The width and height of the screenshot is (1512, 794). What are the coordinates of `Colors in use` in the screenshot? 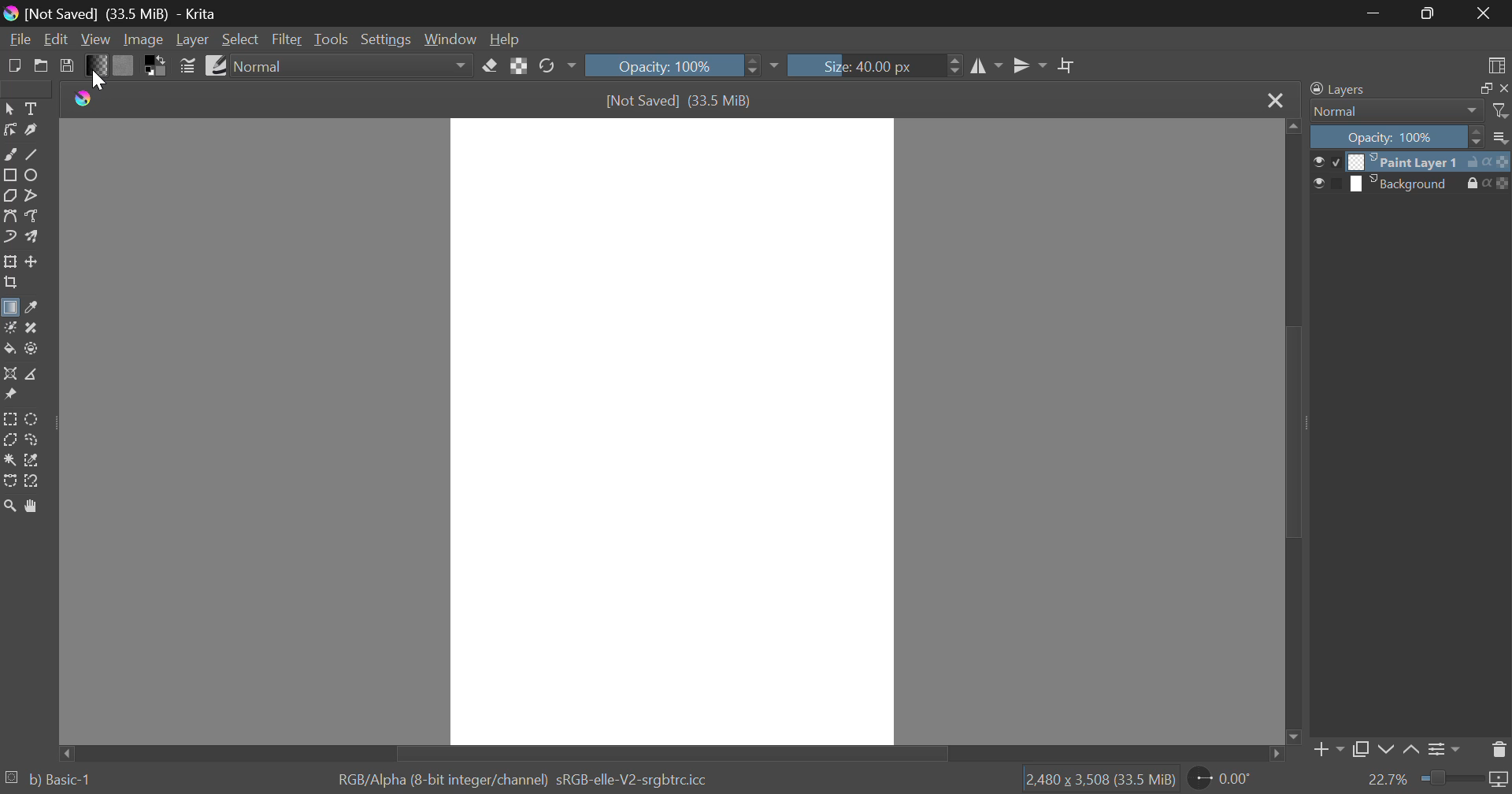 It's located at (156, 65).